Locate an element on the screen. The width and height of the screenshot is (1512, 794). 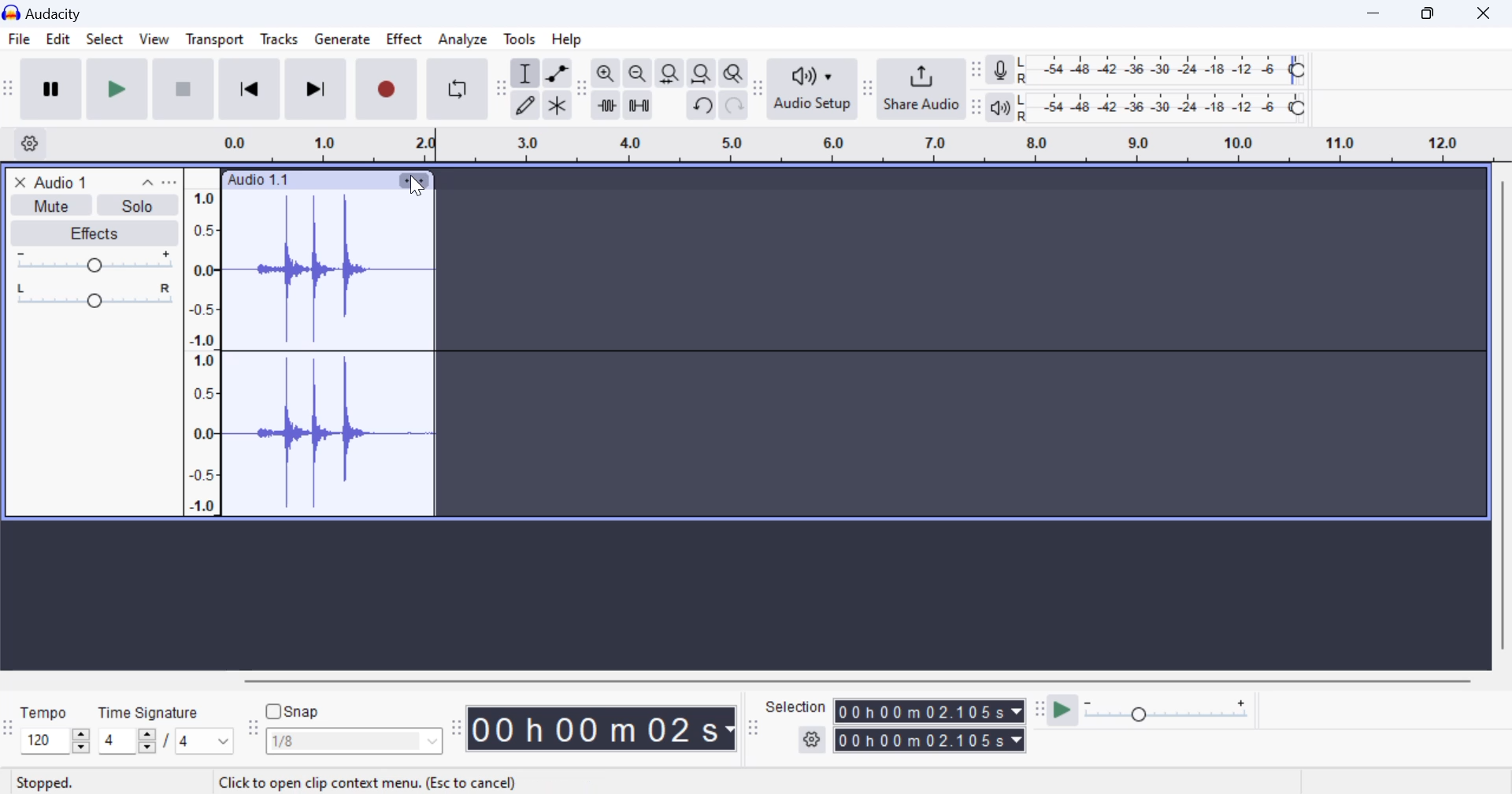
File is located at coordinates (18, 39).